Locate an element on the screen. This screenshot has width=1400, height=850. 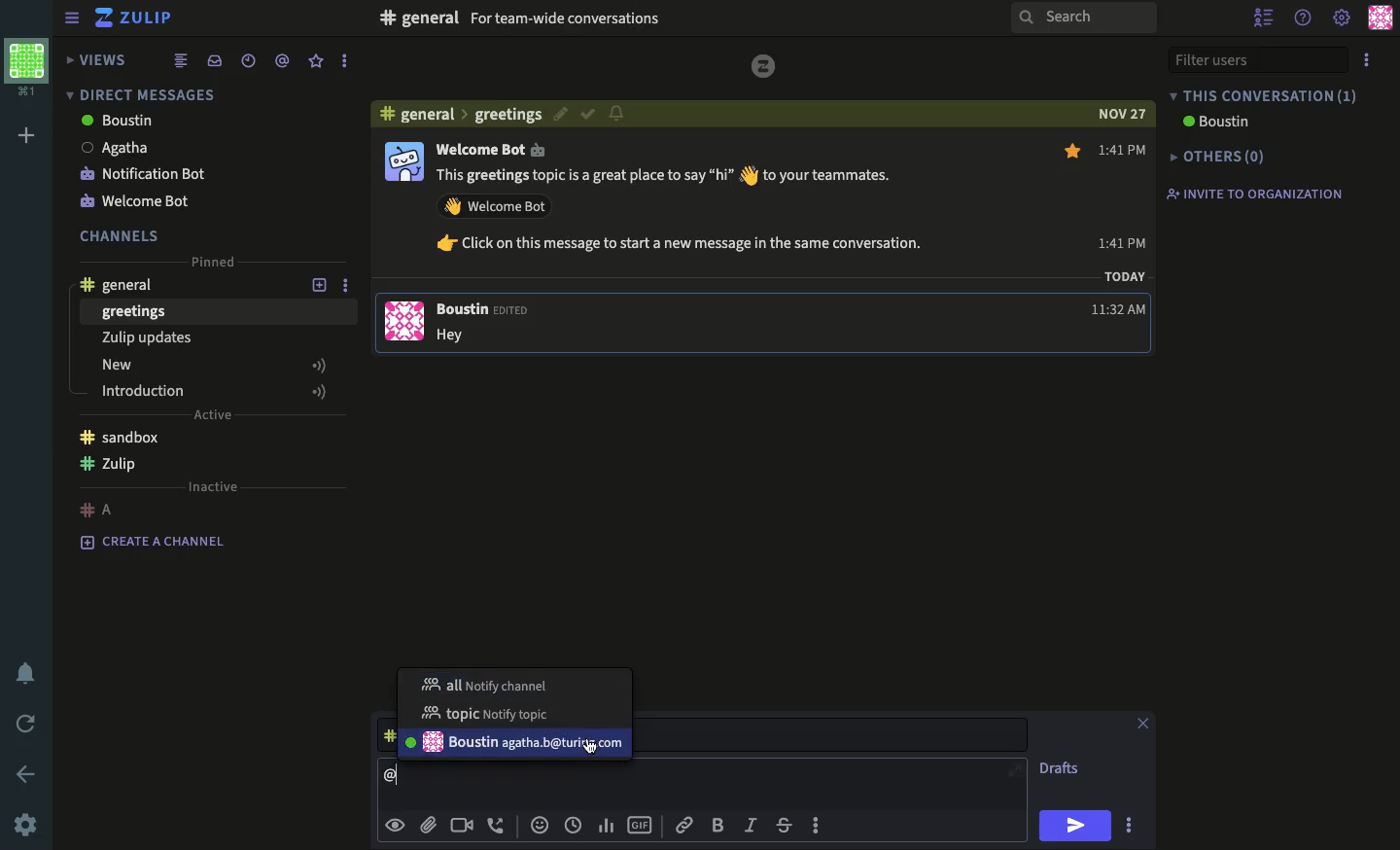
edit is located at coordinates (557, 114).